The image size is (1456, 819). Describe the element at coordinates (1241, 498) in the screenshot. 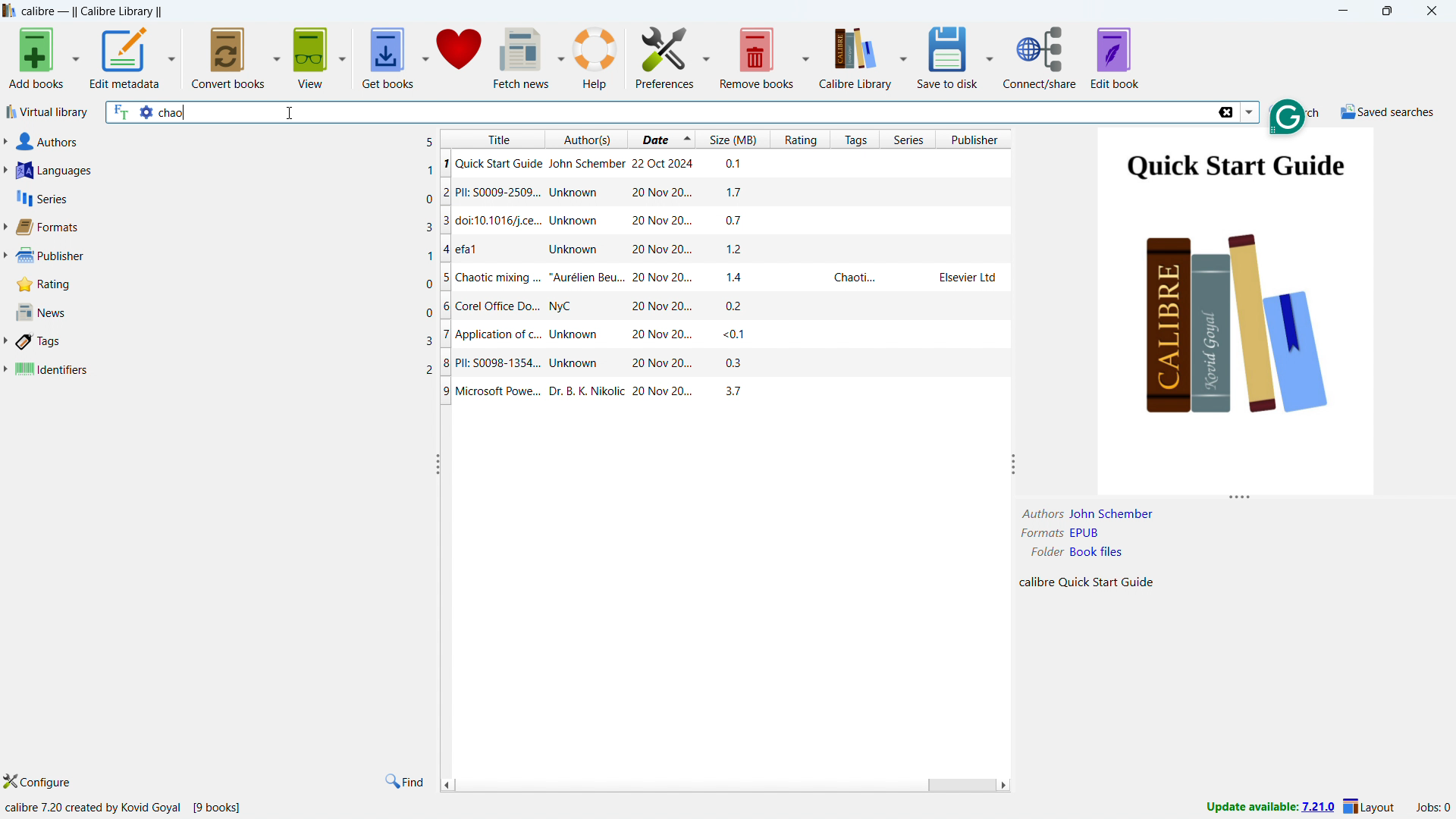

I see `resize` at that location.